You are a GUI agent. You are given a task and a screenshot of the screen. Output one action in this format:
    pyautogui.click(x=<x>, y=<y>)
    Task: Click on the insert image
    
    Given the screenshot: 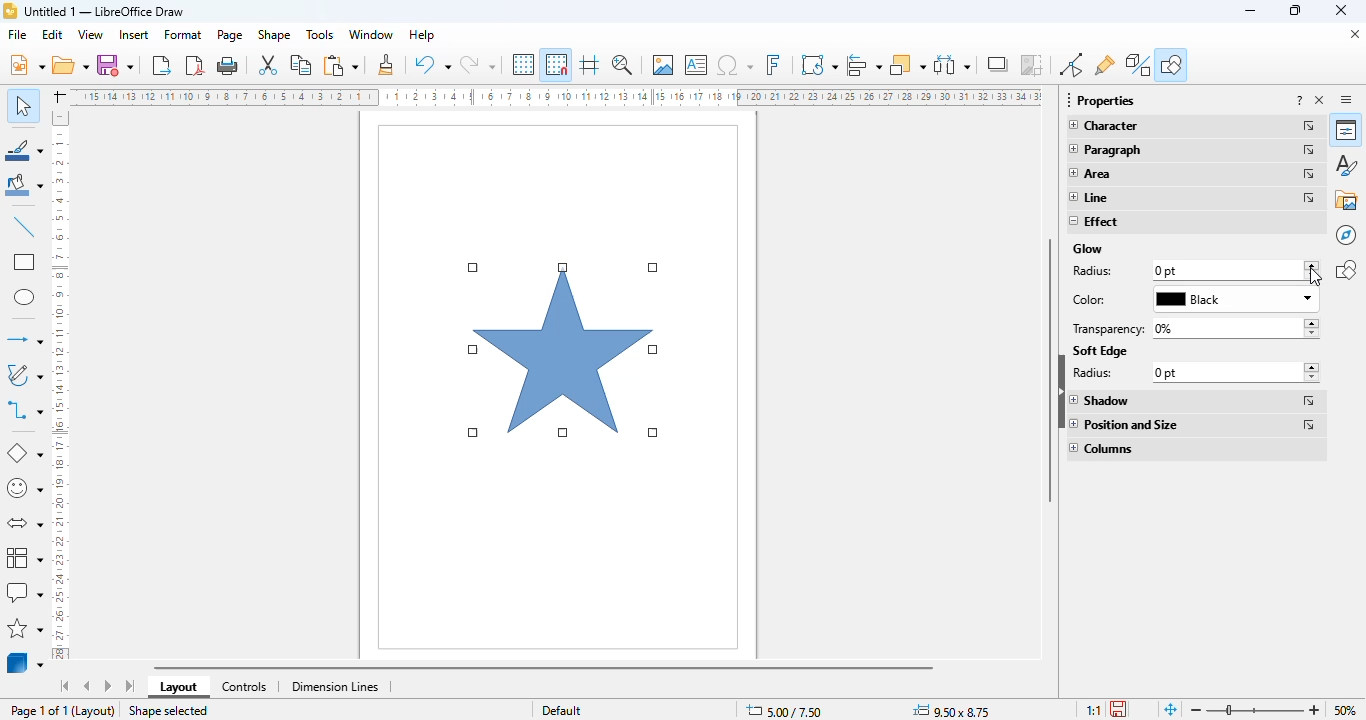 What is the action you would take?
    pyautogui.click(x=663, y=64)
    